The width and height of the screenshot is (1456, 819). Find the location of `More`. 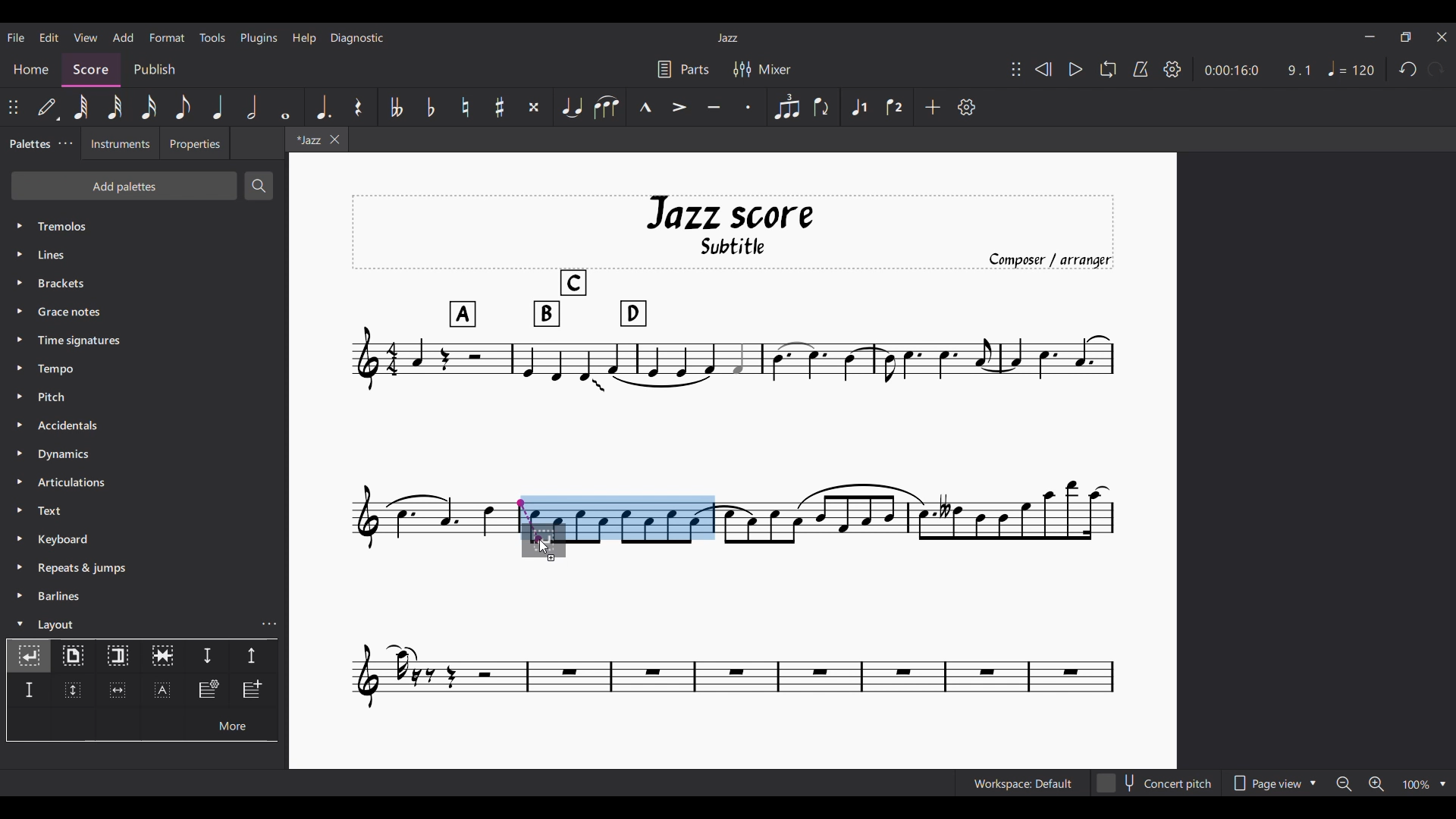

More is located at coordinates (231, 724).